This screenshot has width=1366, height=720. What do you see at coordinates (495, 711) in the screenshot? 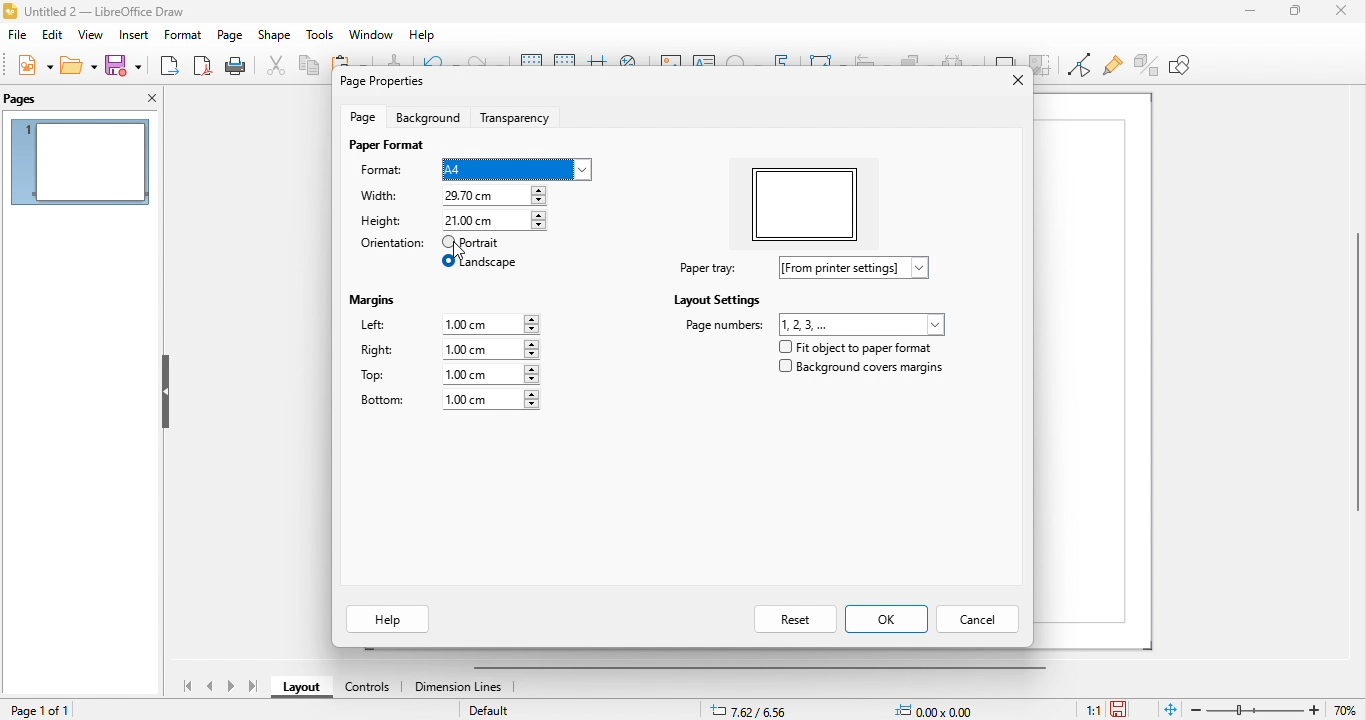
I see `default` at bounding box center [495, 711].